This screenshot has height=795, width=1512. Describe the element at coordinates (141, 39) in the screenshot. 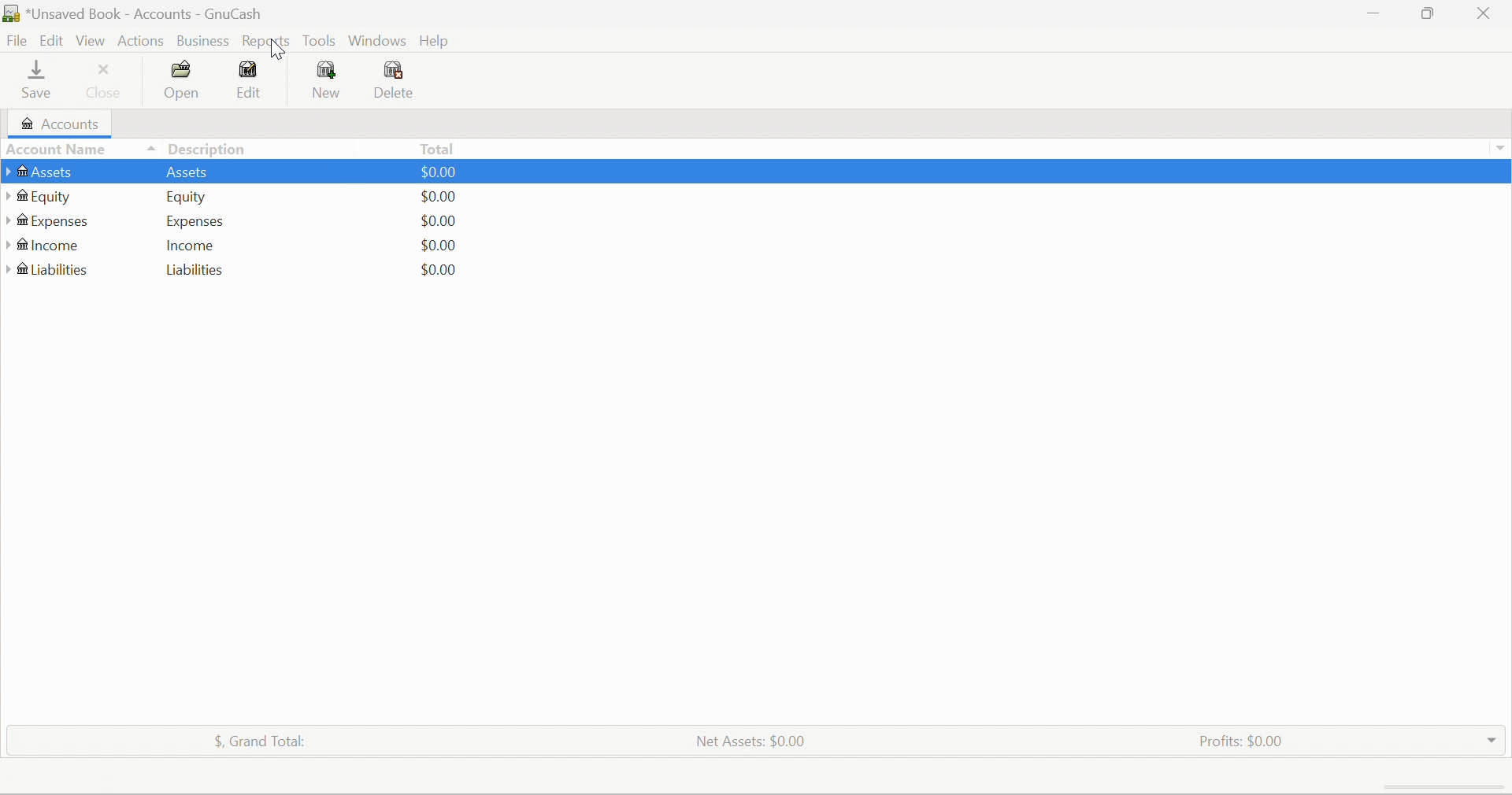

I see `Actions` at that location.